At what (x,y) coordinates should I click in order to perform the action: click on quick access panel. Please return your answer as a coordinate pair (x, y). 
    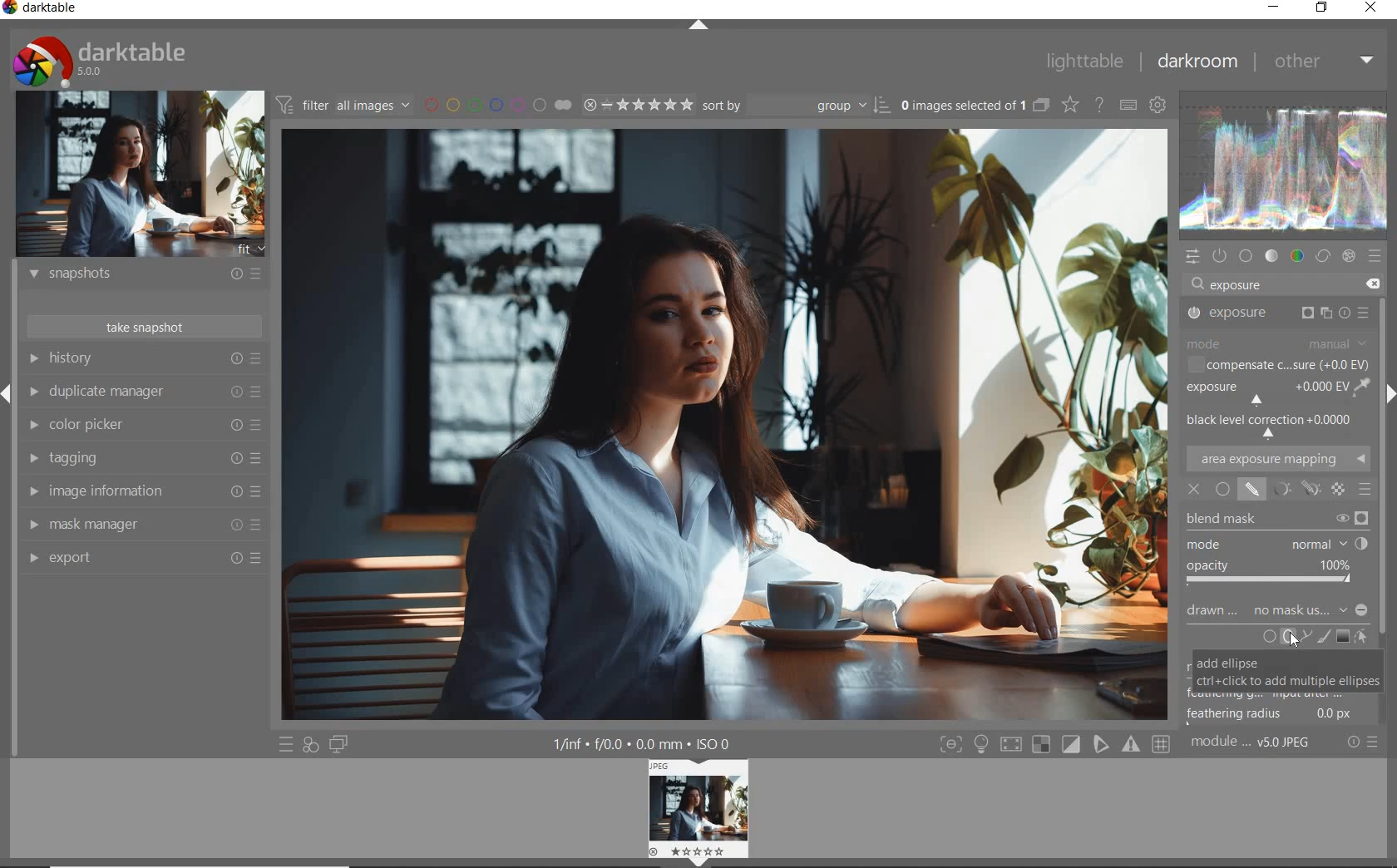
    Looking at the image, I should click on (1193, 257).